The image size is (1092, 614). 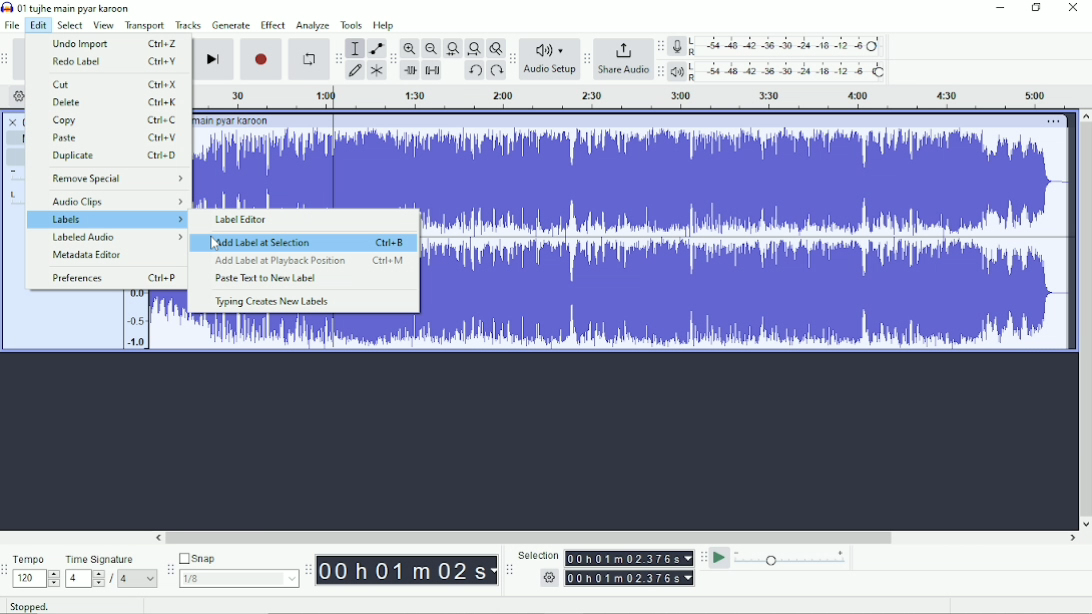 I want to click on Horizontal scrollbar, so click(x=534, y=537).